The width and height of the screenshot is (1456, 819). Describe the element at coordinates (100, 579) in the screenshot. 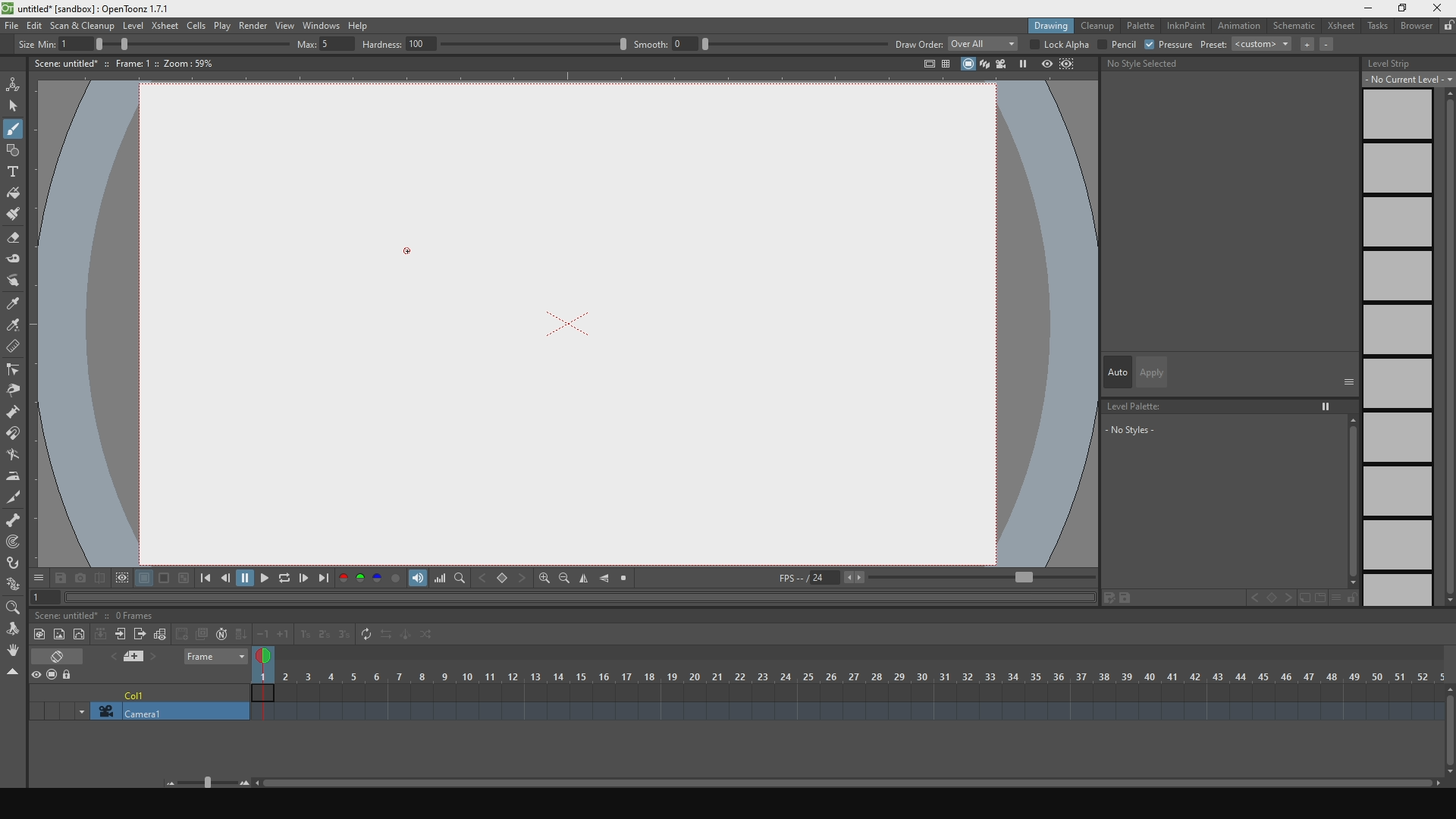

I see `compare with captures` at that location.